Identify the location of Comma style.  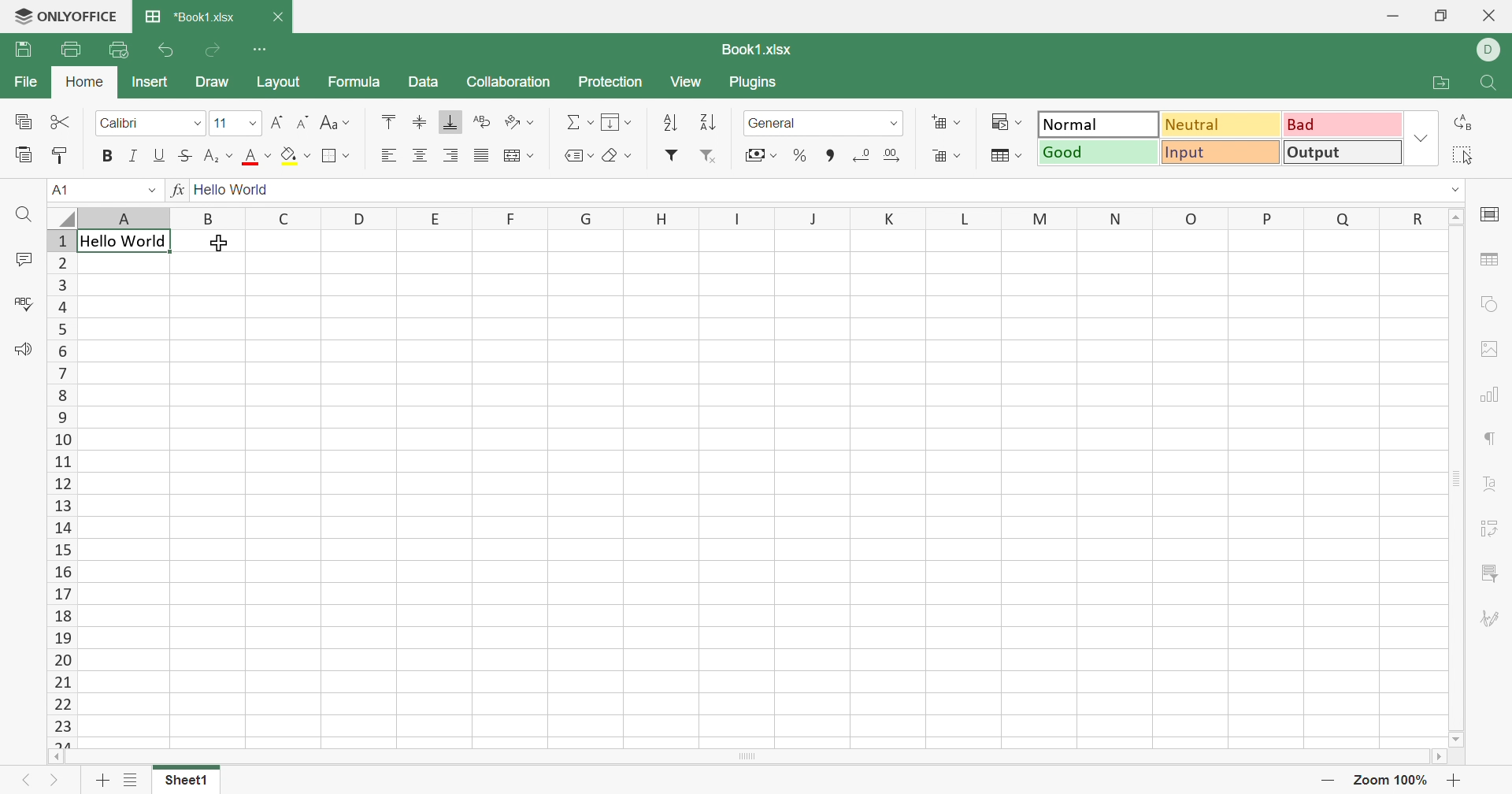
(829, 158).